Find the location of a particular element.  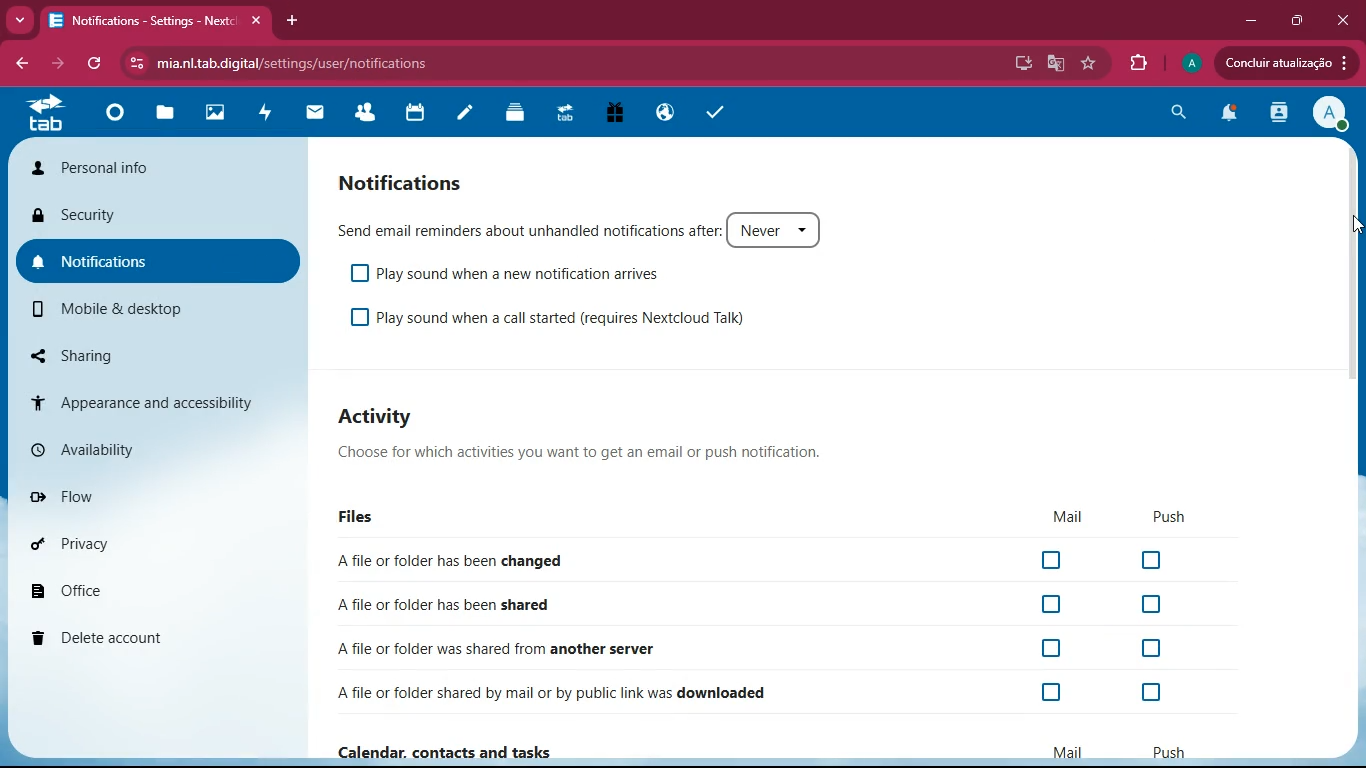

maximize is located at coordinates (1295, 21).